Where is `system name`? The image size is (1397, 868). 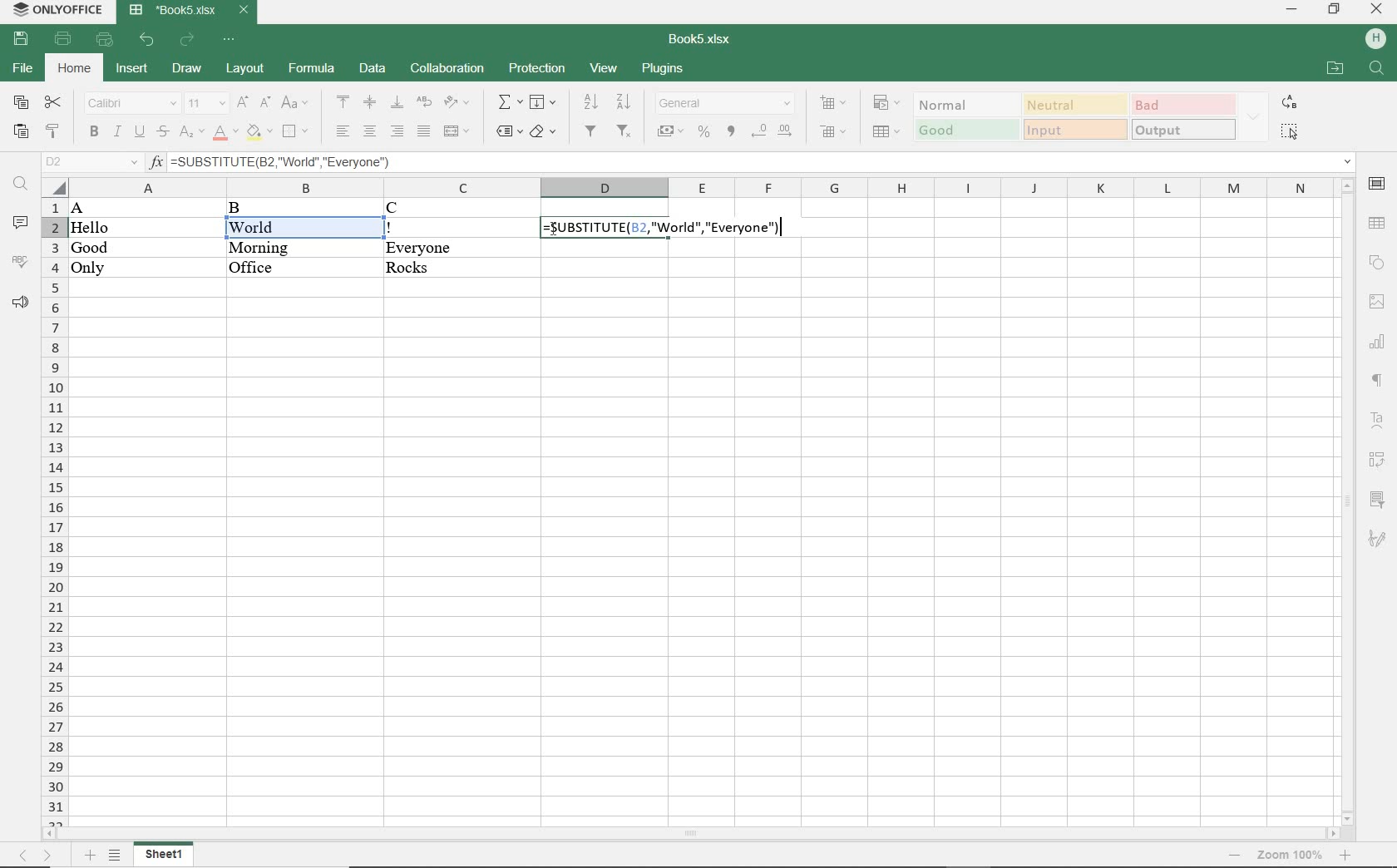
system name is located at coordinates (55, 10).